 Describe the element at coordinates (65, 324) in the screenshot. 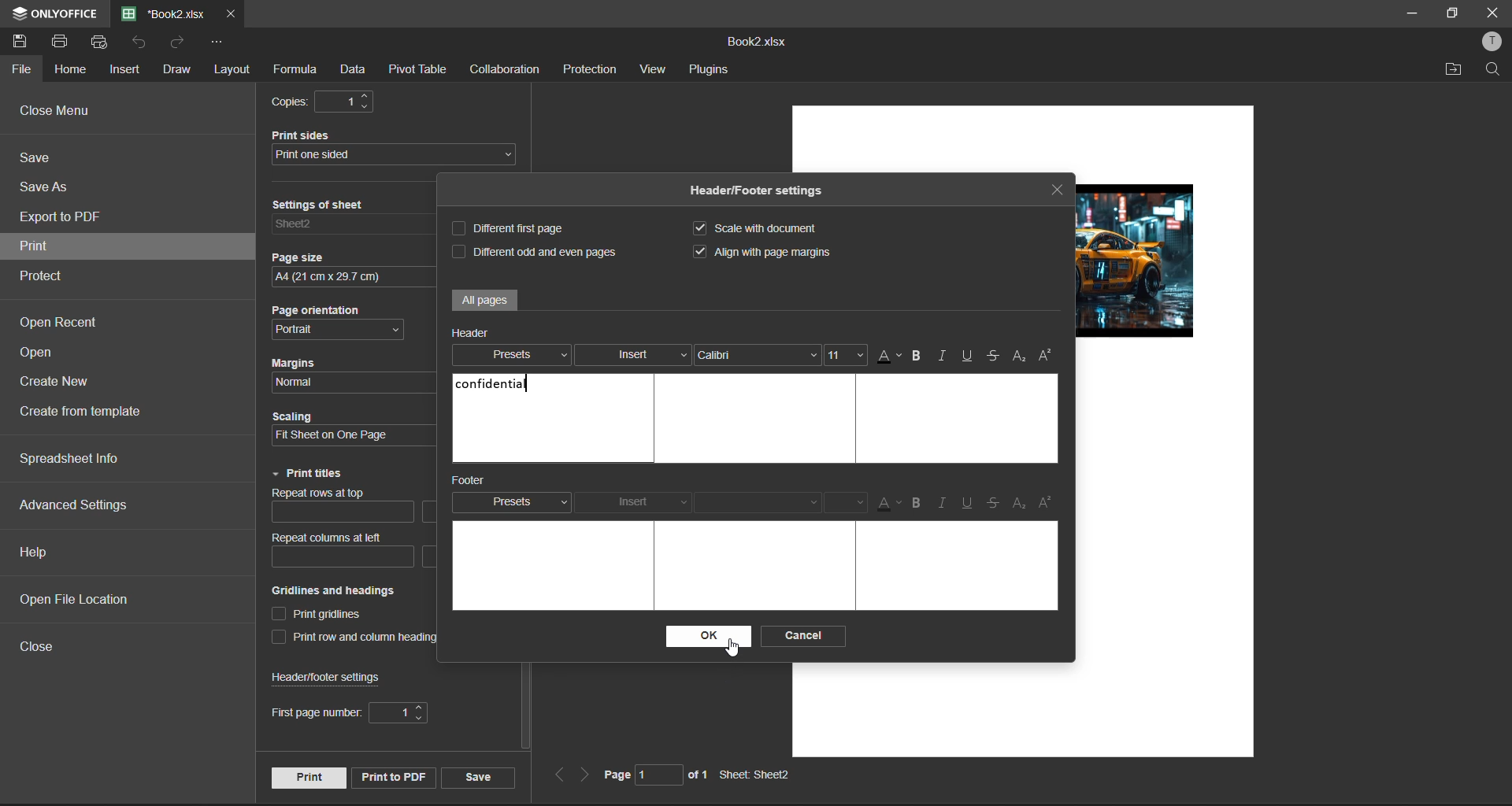

I see `open recent` at that location.